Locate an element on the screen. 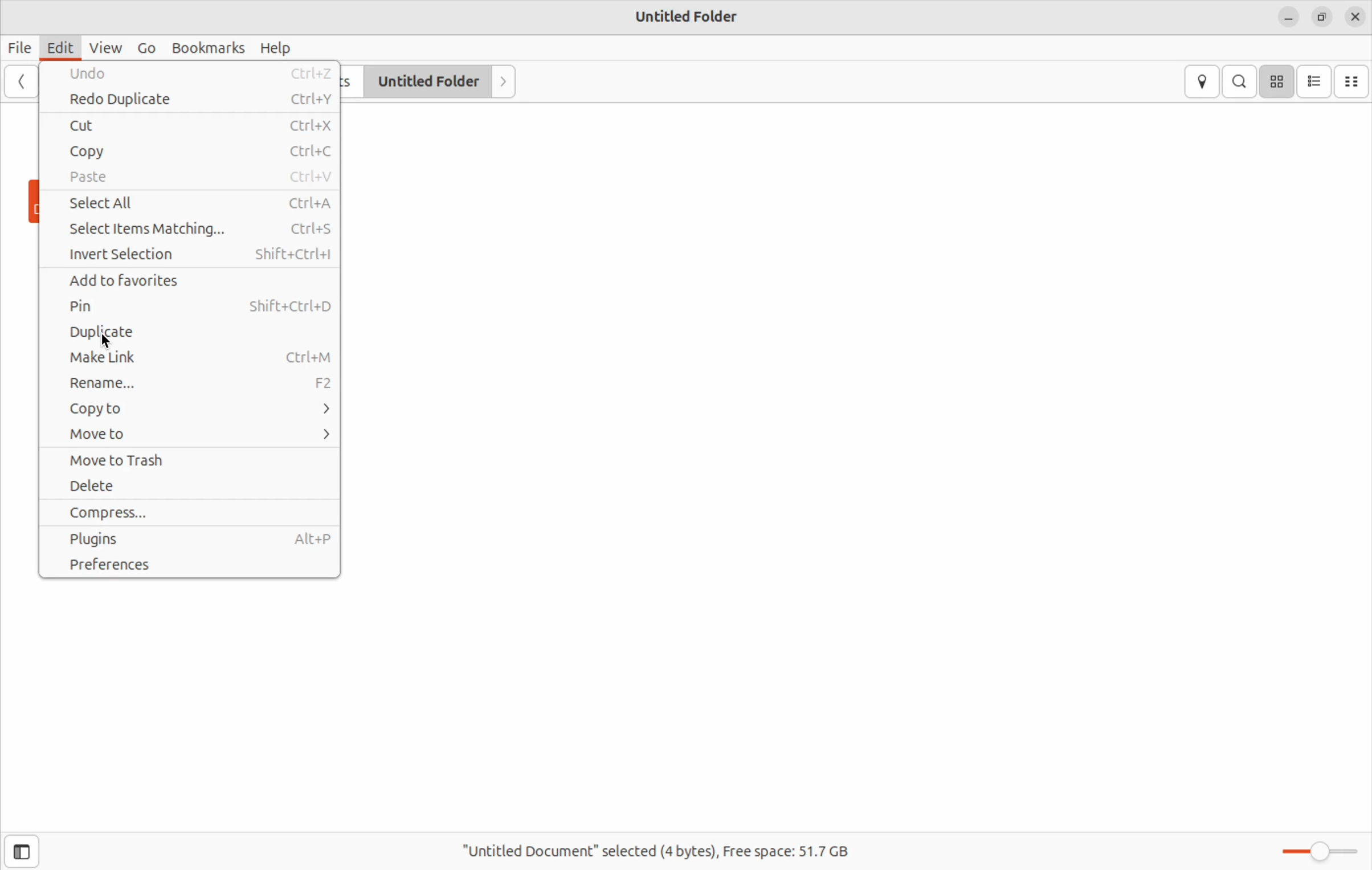 This screenshot has width=1372, height=870. Untitled Folder is located at coordinates (688, 16).